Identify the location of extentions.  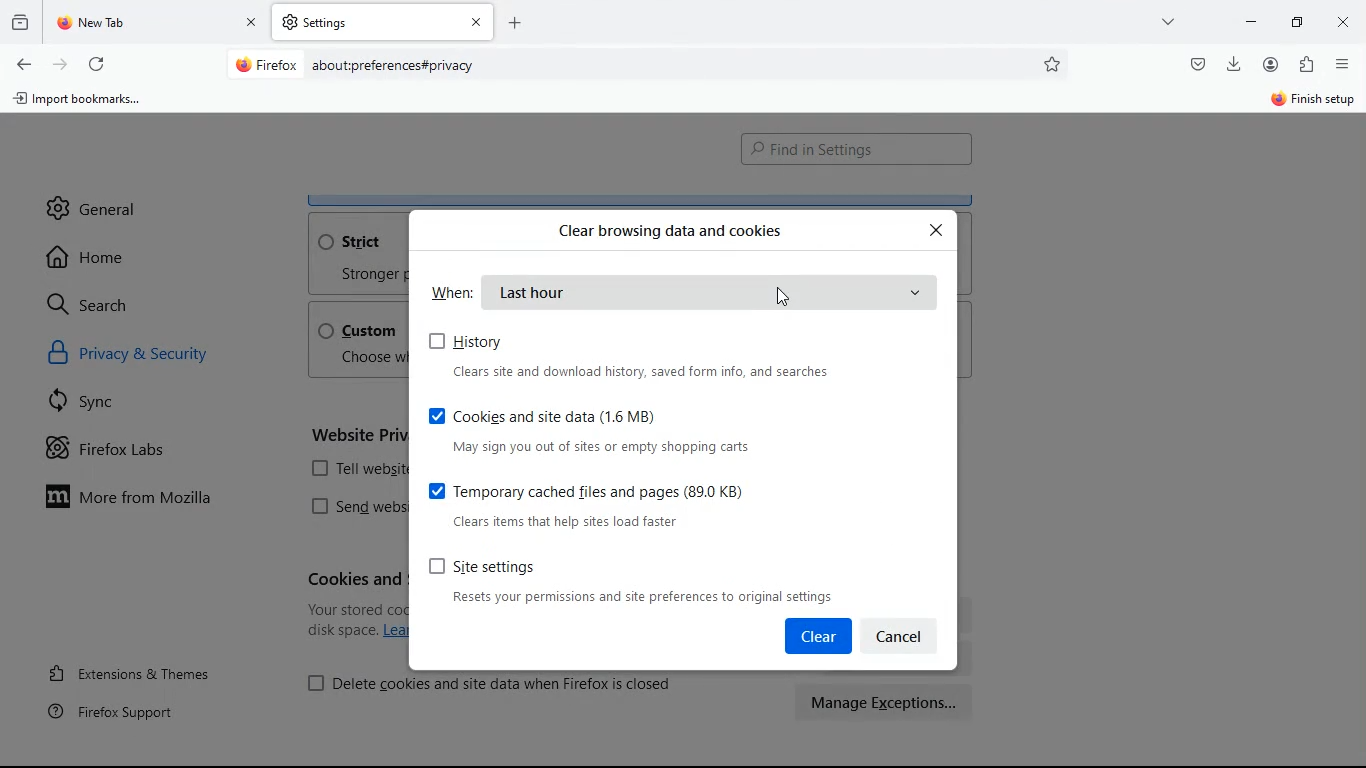
(1306, 66).